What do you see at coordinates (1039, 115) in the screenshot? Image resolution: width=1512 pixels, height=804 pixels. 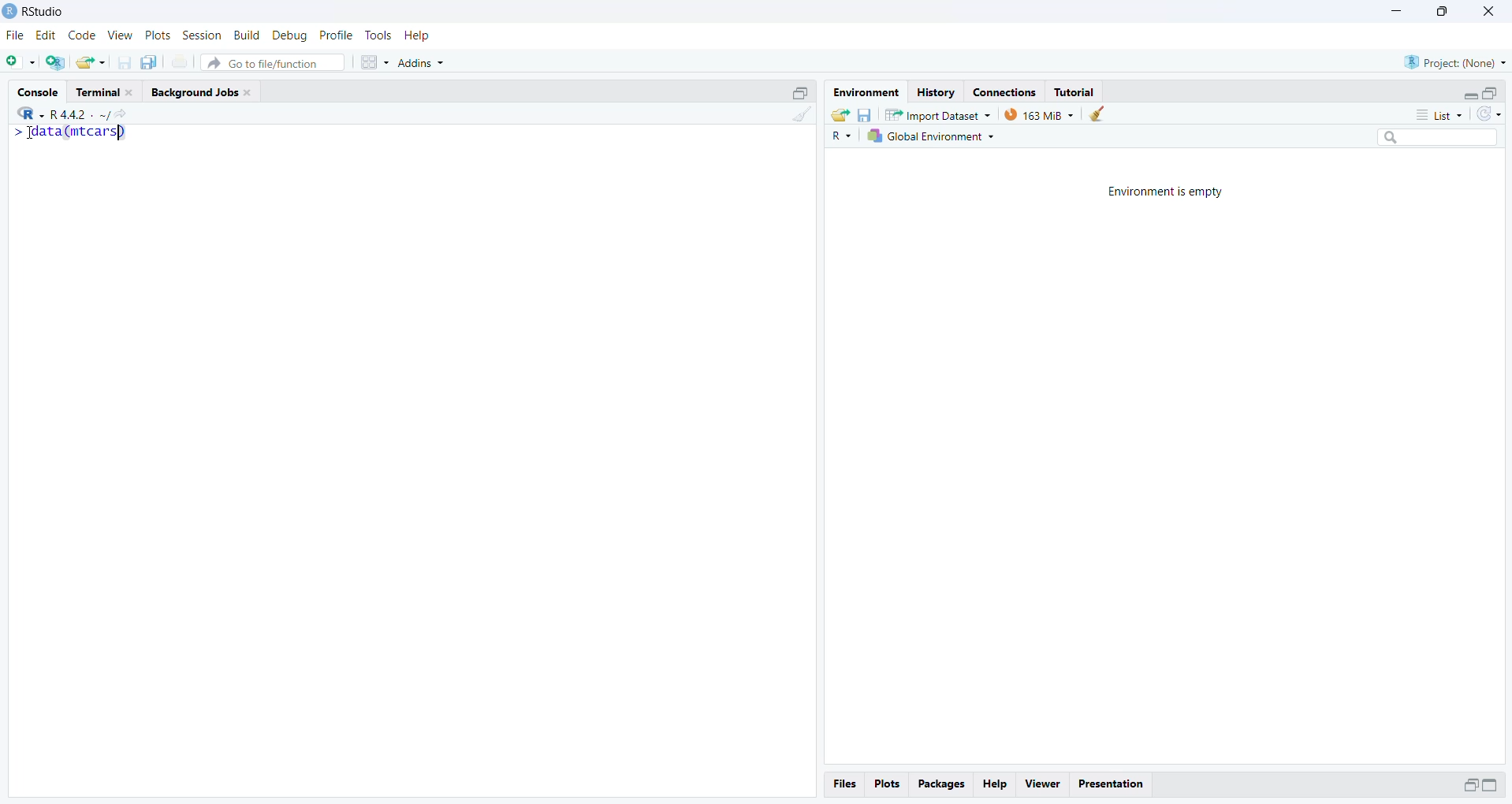 I see `163 MiB` at bounding box center [1039, 115].